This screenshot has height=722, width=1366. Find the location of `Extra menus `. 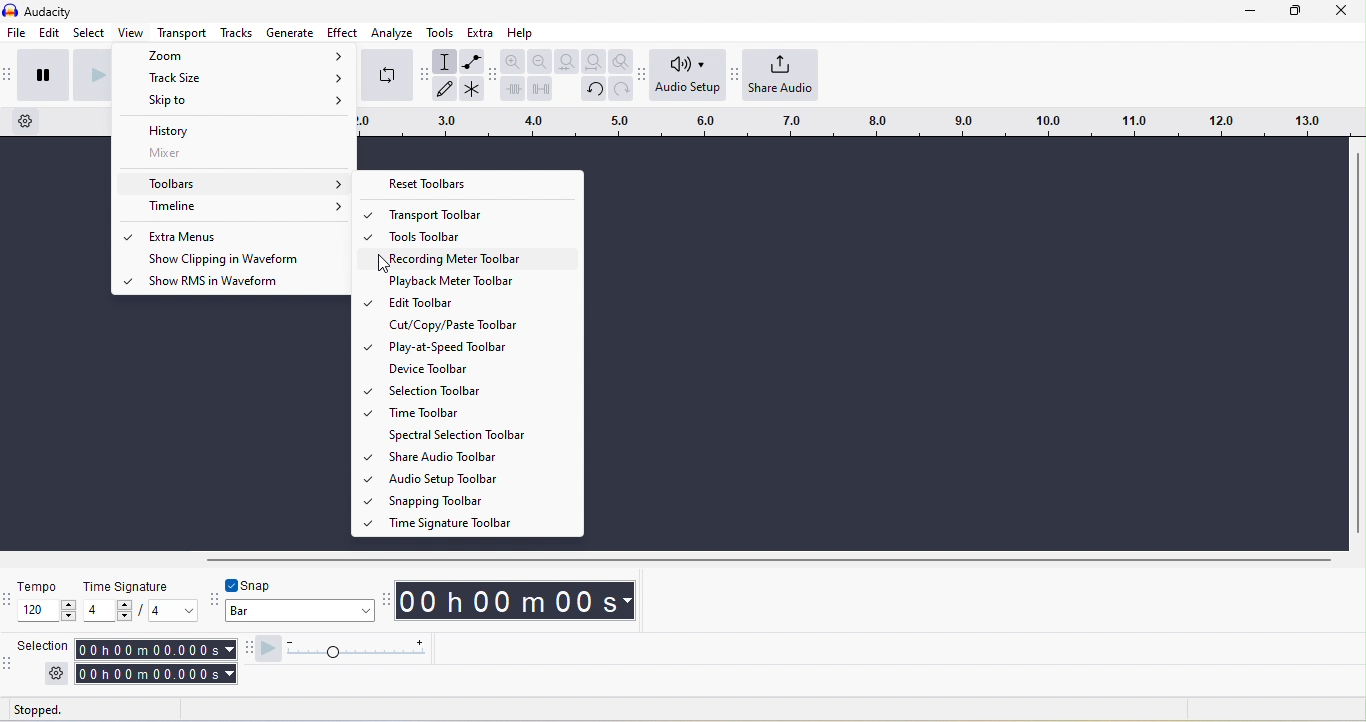

Extra menus  is located at coordinates (242, 236).